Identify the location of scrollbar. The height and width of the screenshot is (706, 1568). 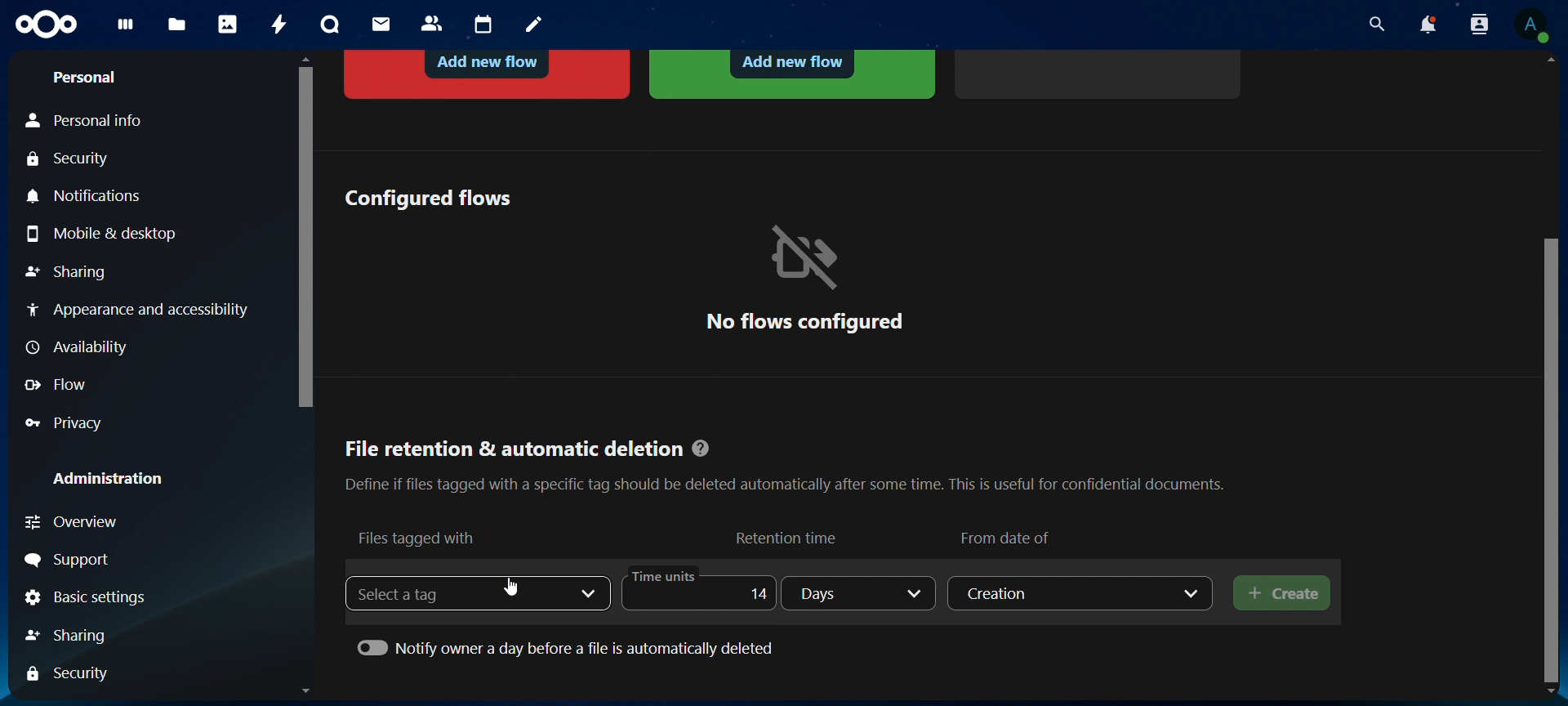
(1554, 457).